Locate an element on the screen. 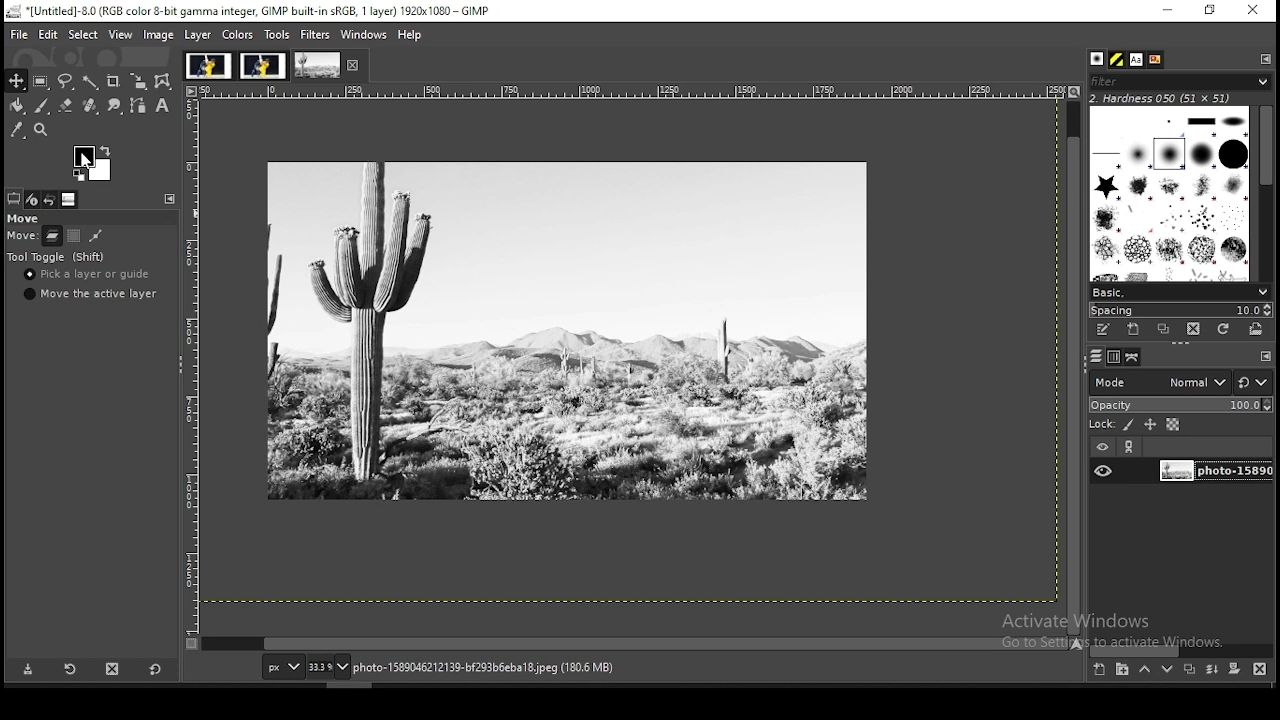  images is located at coordinates (70, 200).